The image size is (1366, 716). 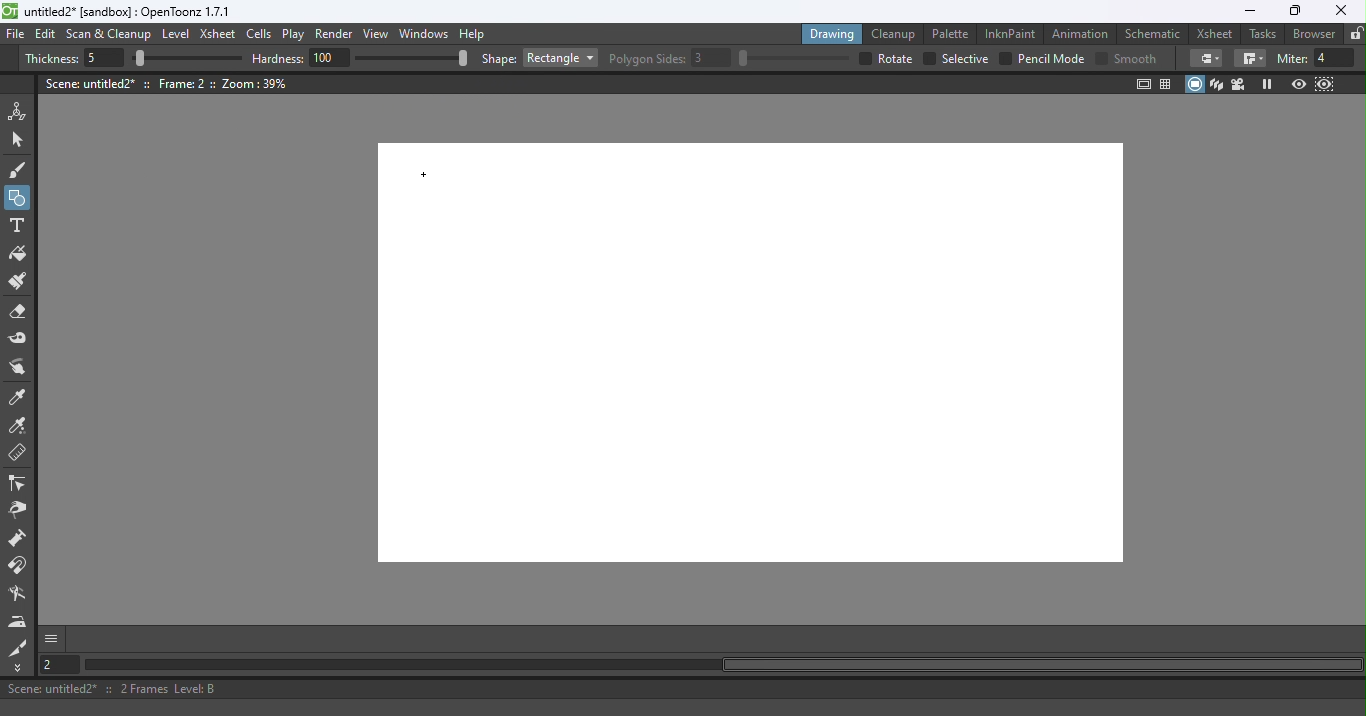 I want to click on Minimize, so click(x=1249, y=11).